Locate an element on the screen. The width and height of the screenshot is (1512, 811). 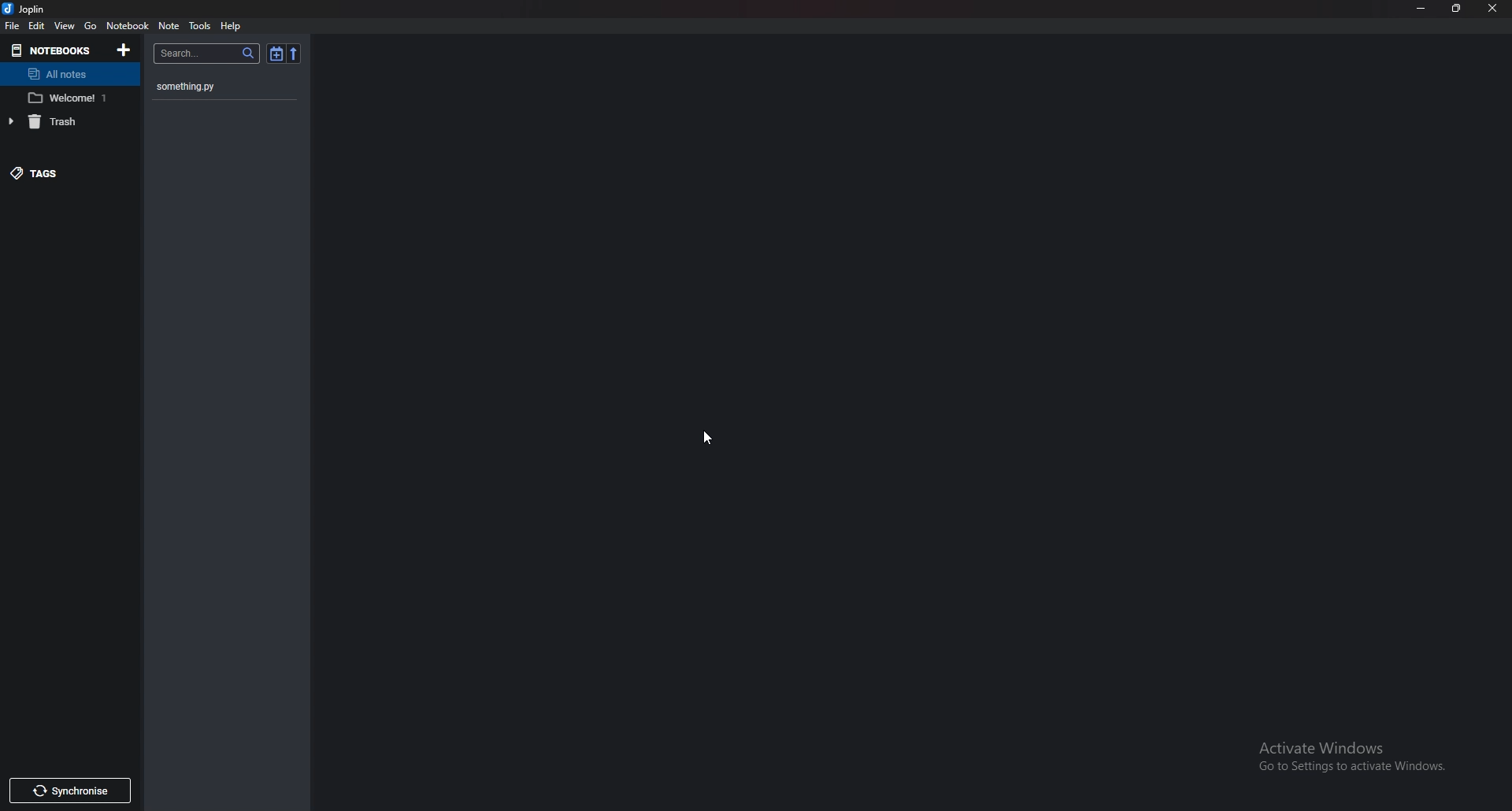
Reverse sort order is located at coordinates (292, 54).